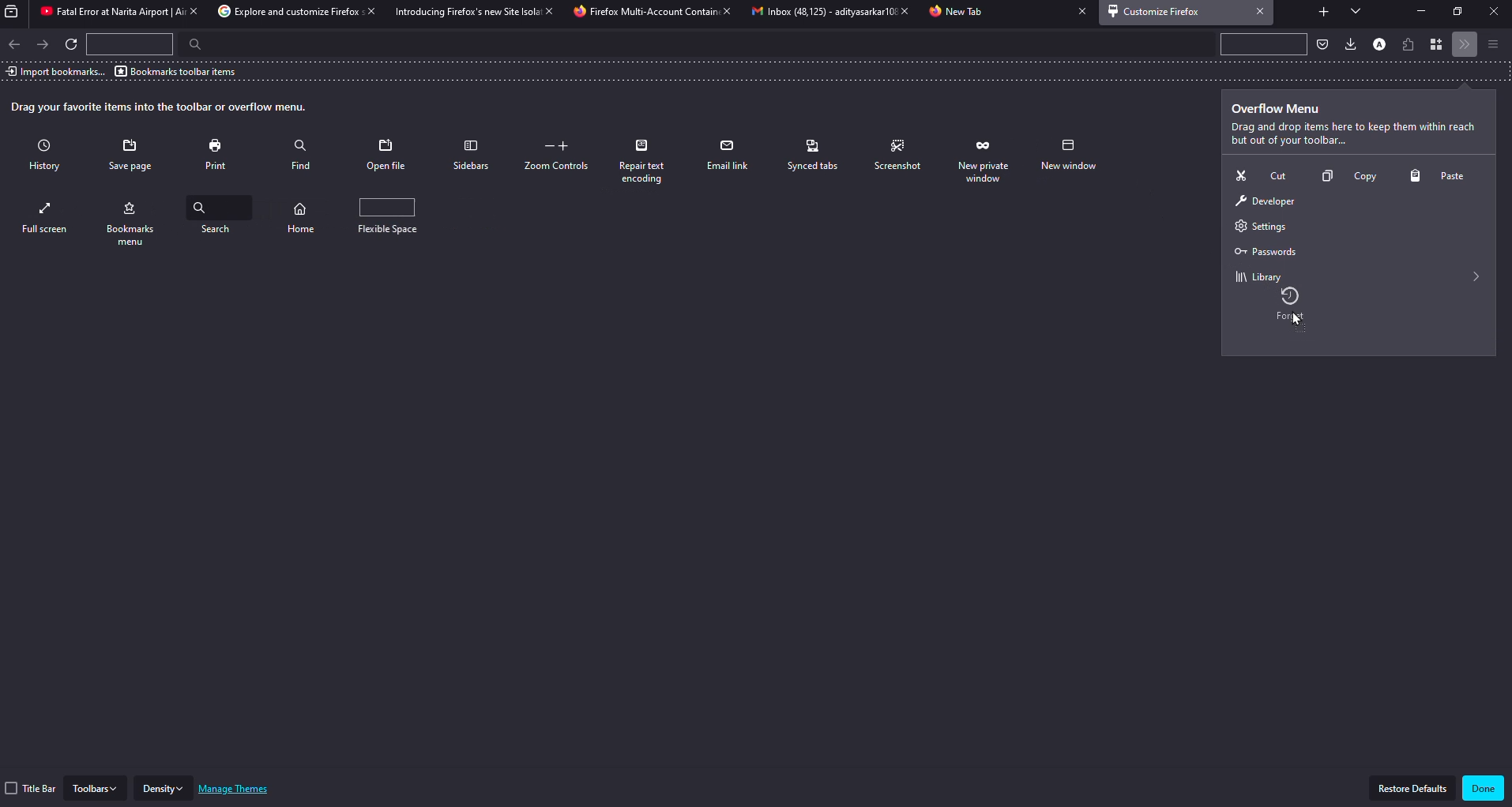 This screenshot has height=807, width=1512. Describe the element at coordinates (729, 155) in the screenshot. I see `email link` at that location.